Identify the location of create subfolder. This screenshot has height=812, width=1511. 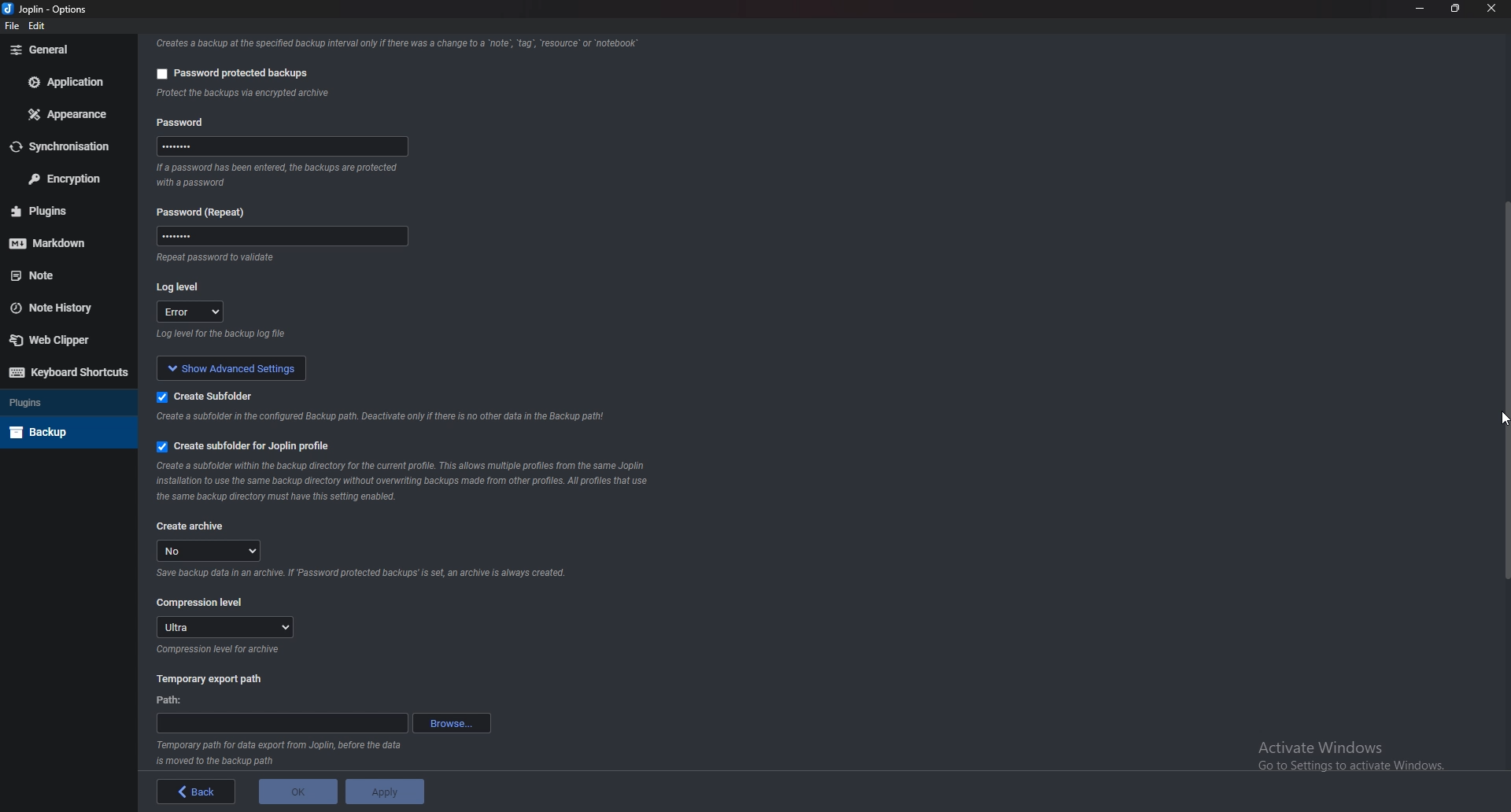
(208, 396).